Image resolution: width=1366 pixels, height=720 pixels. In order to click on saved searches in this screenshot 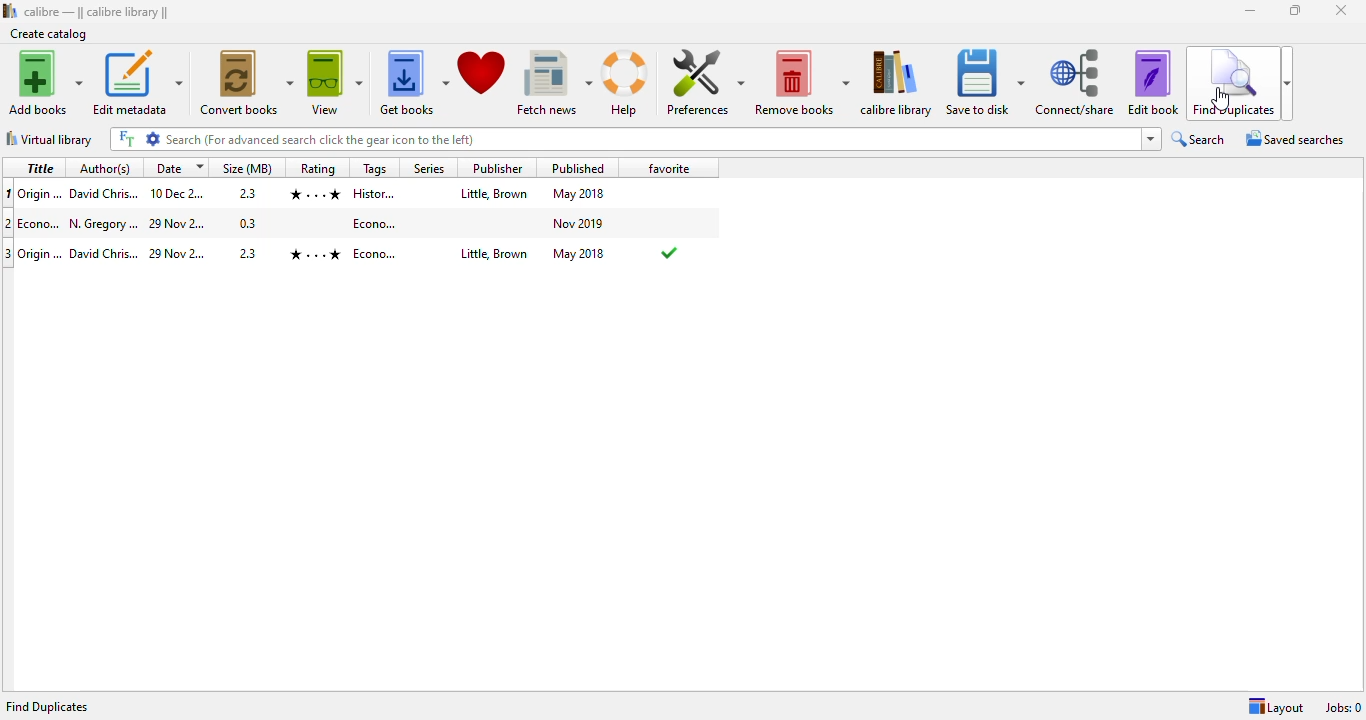, I will do `click(1296, 137)`.